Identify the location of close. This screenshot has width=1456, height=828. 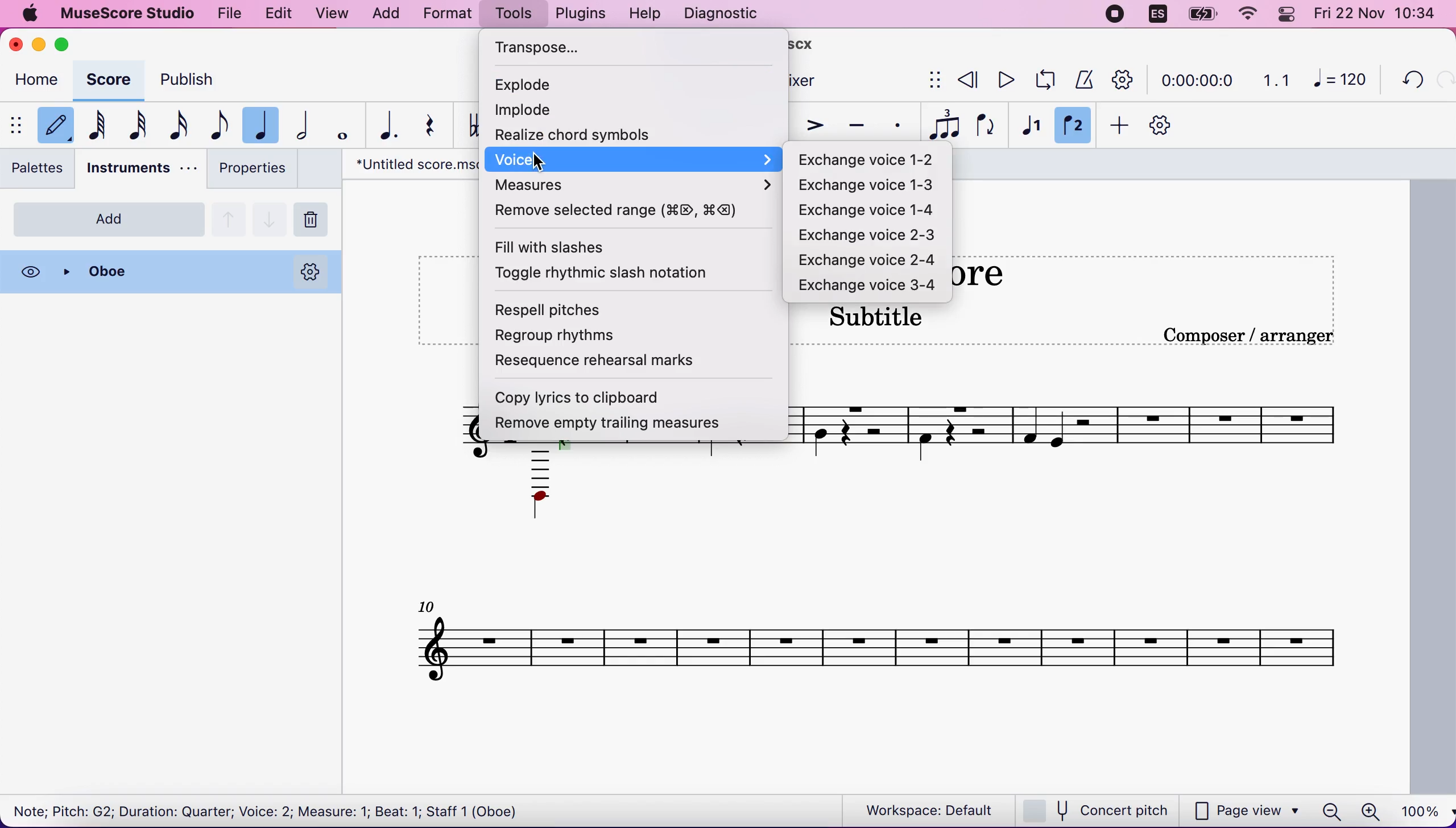
(15, 46).